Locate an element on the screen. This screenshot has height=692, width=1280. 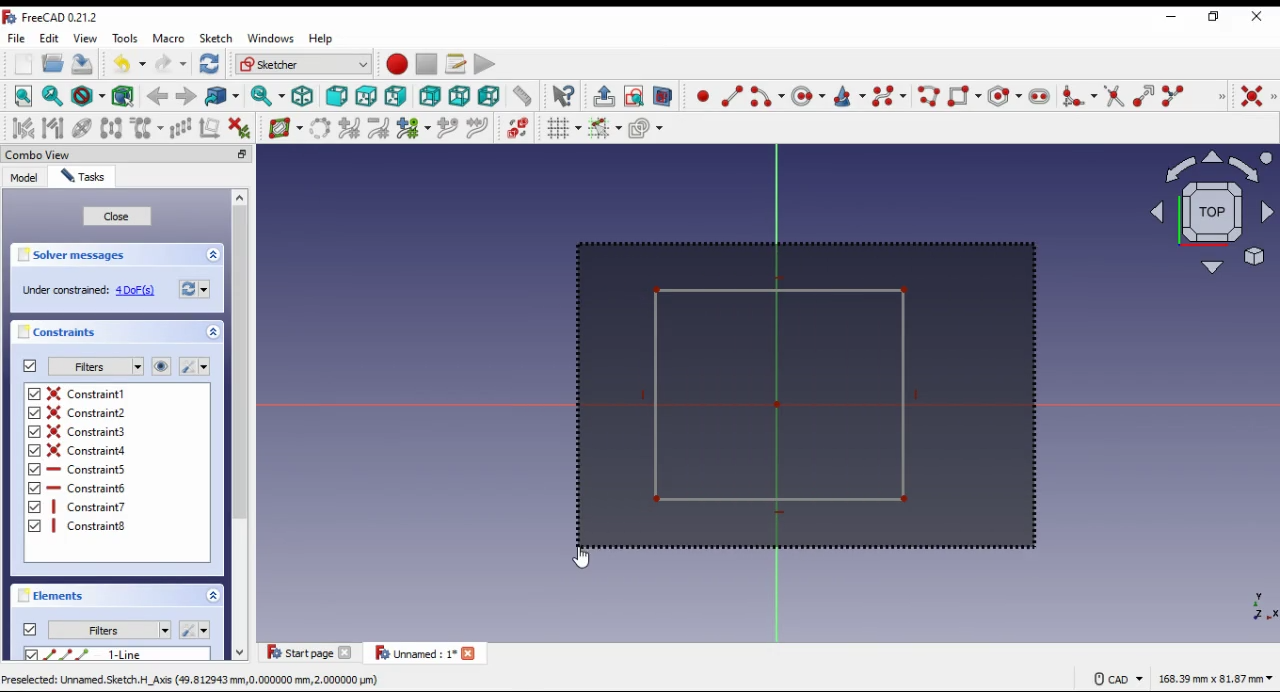
help is located at coordinates (322, 39).